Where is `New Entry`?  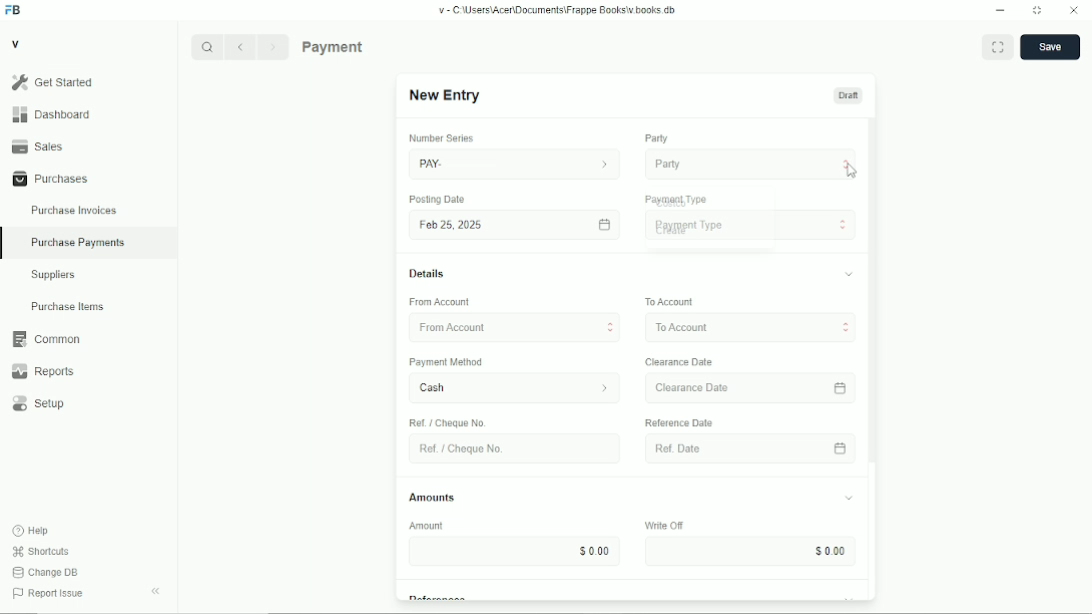 New Entry is located at coordinates (447, 95).